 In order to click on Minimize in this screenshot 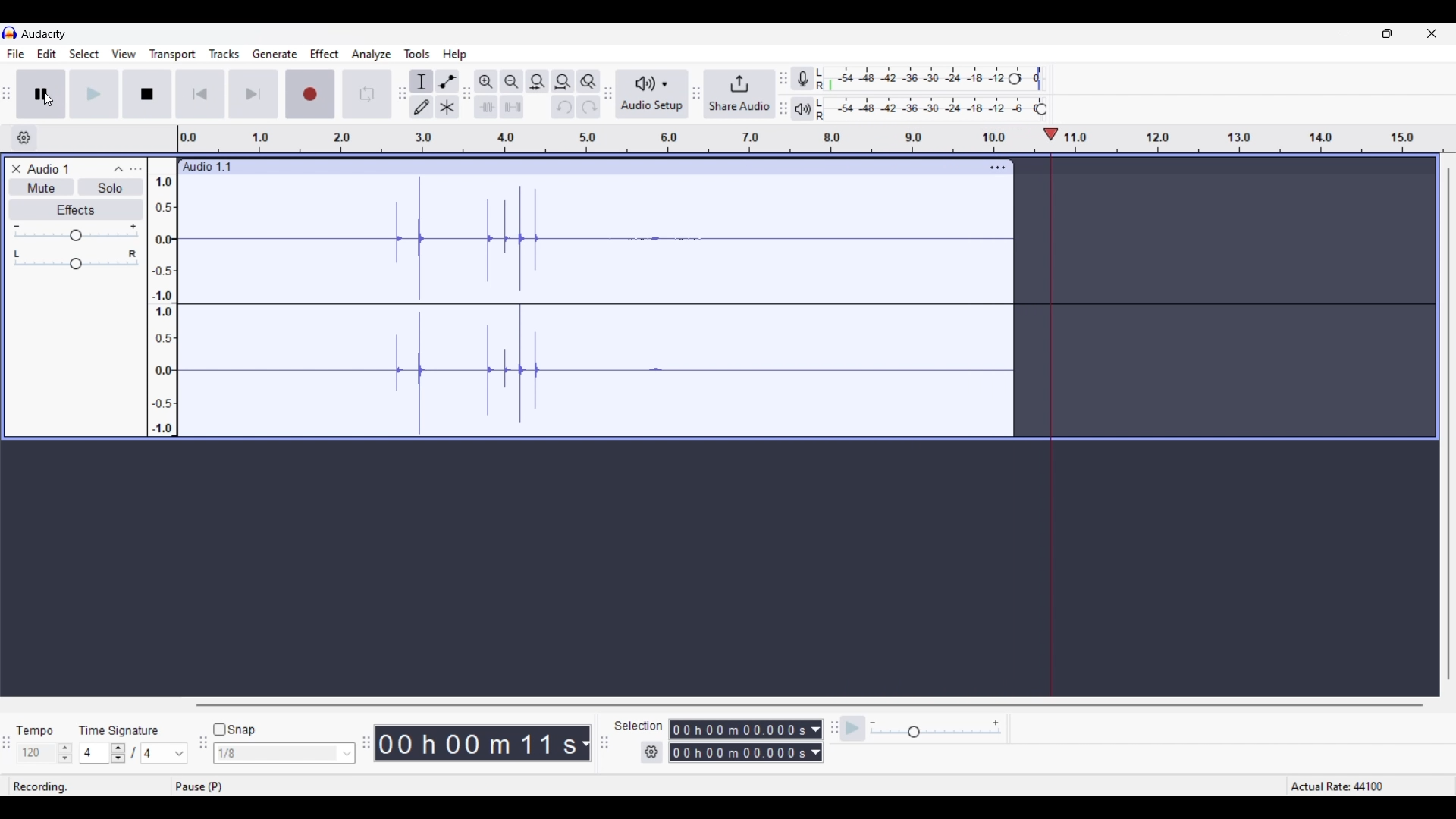, I will do `click(1343, 33)`.